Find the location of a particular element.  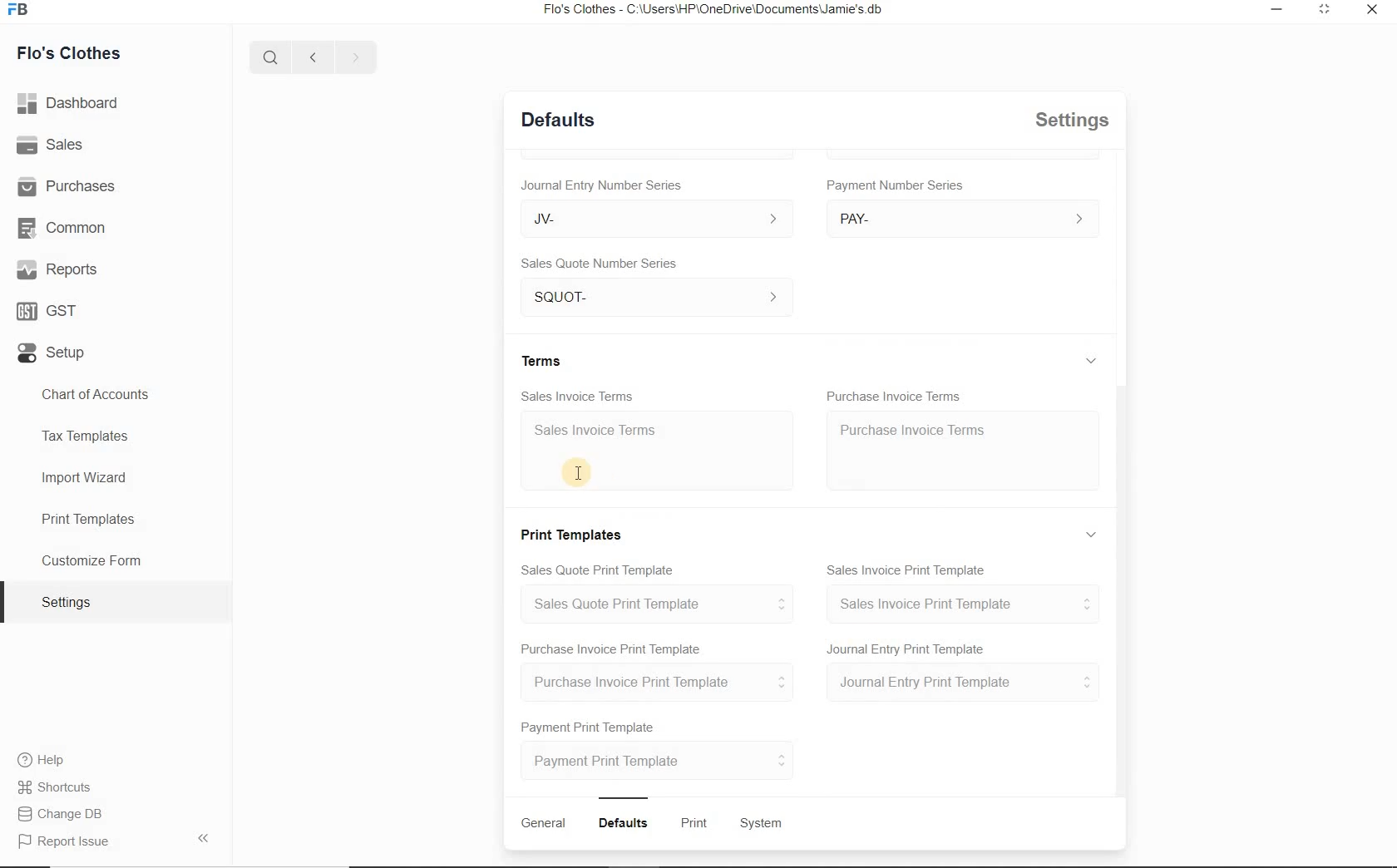

Sales Quote Number Series is located at coordinates (599, 264).